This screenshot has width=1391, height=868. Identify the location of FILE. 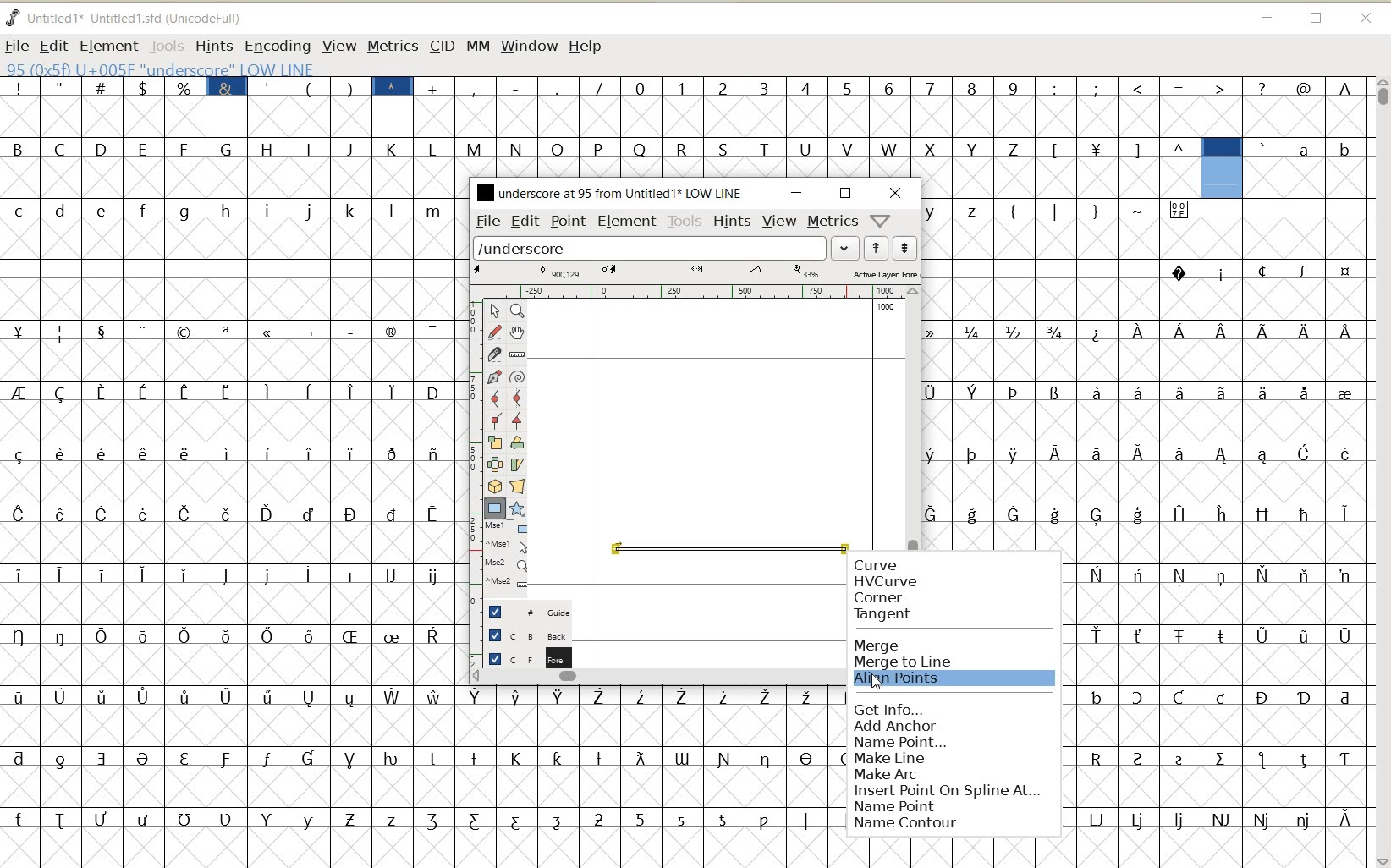
(17, 46).